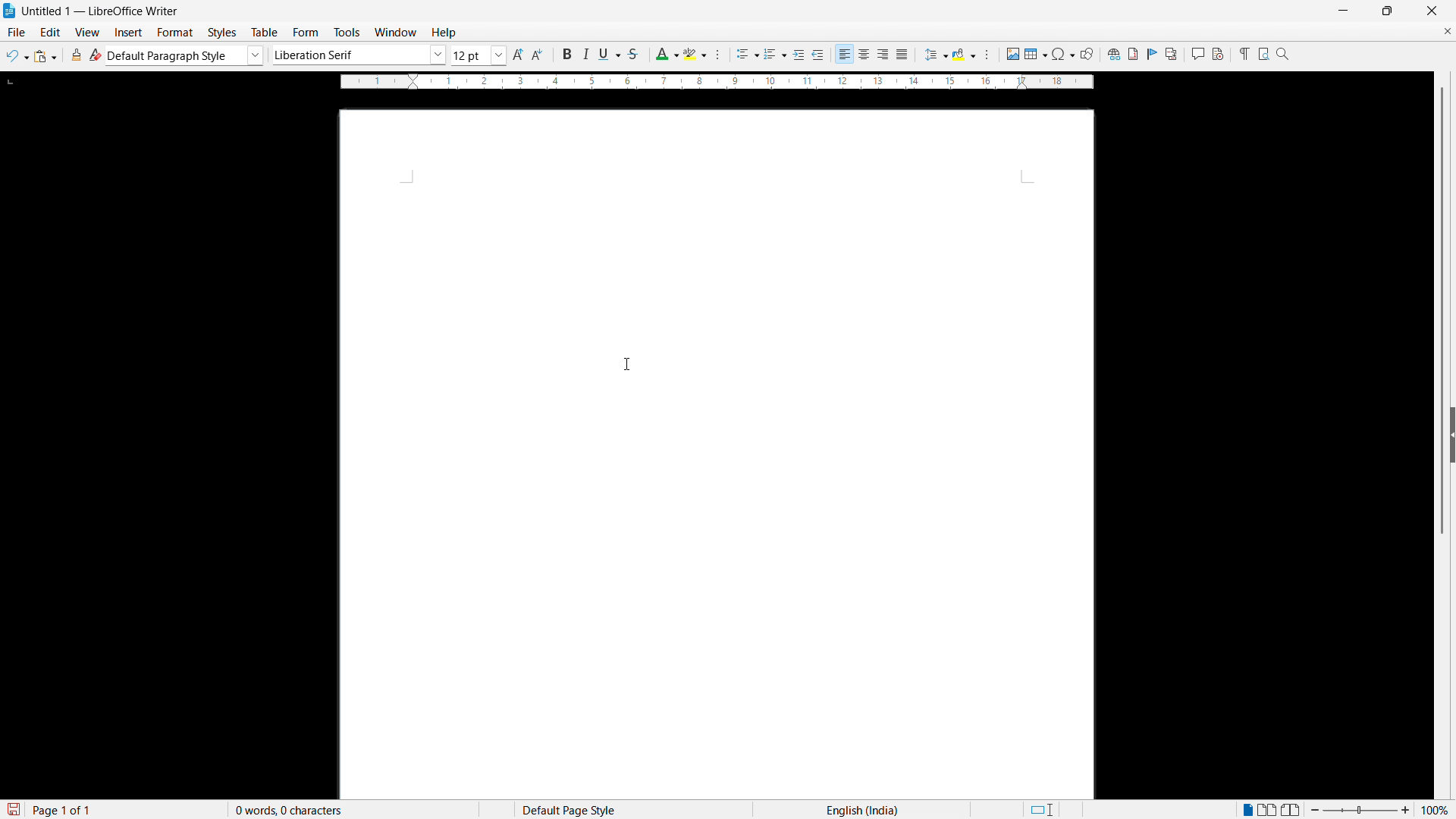 The width and height of the screenshot is (1456, 819). What do you see at coordinates (845, 55) in the screenshot?
I see `Align left` at bounding box center [845, 55].